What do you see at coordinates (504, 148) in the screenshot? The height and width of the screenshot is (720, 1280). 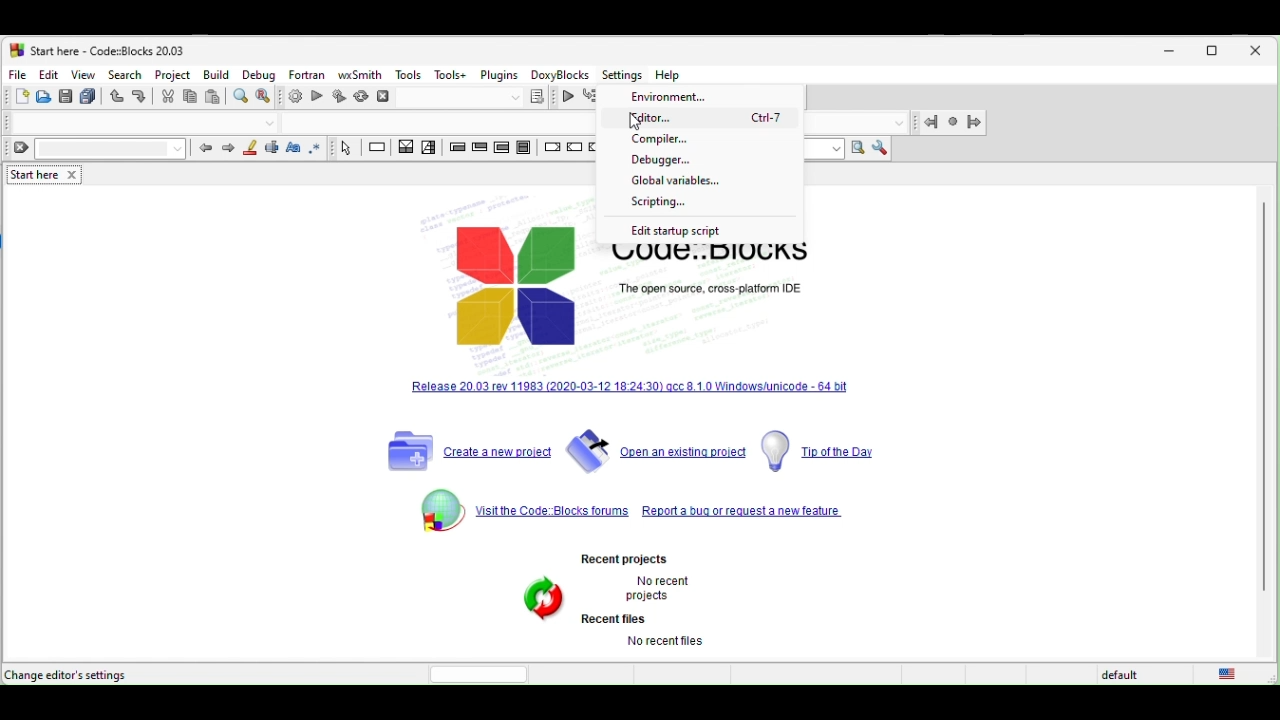 I see `counting loop` at bounding box center [504, 148].